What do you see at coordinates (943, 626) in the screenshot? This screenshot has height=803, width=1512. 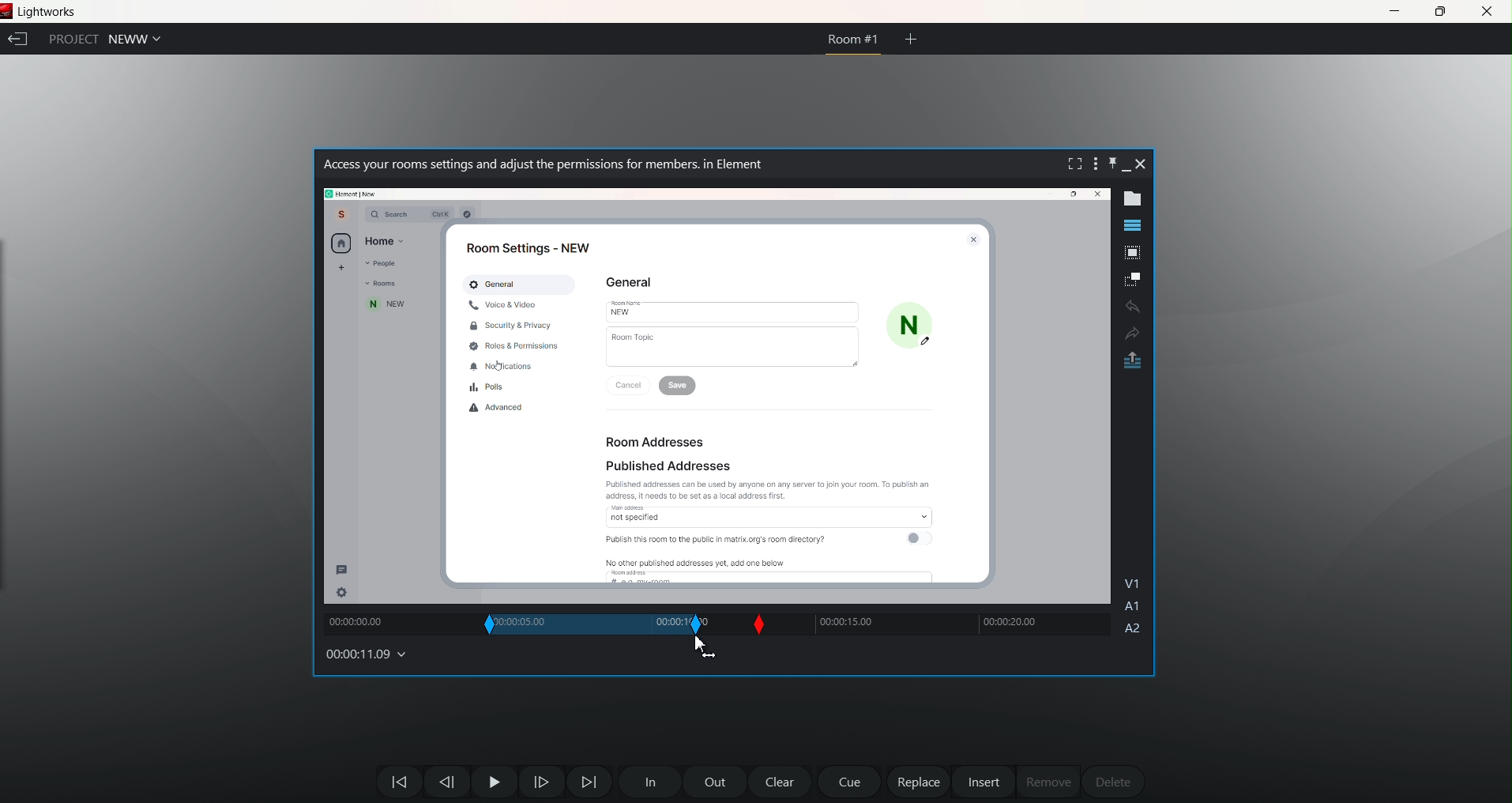 I see `track` at bounding box center [943, 626].